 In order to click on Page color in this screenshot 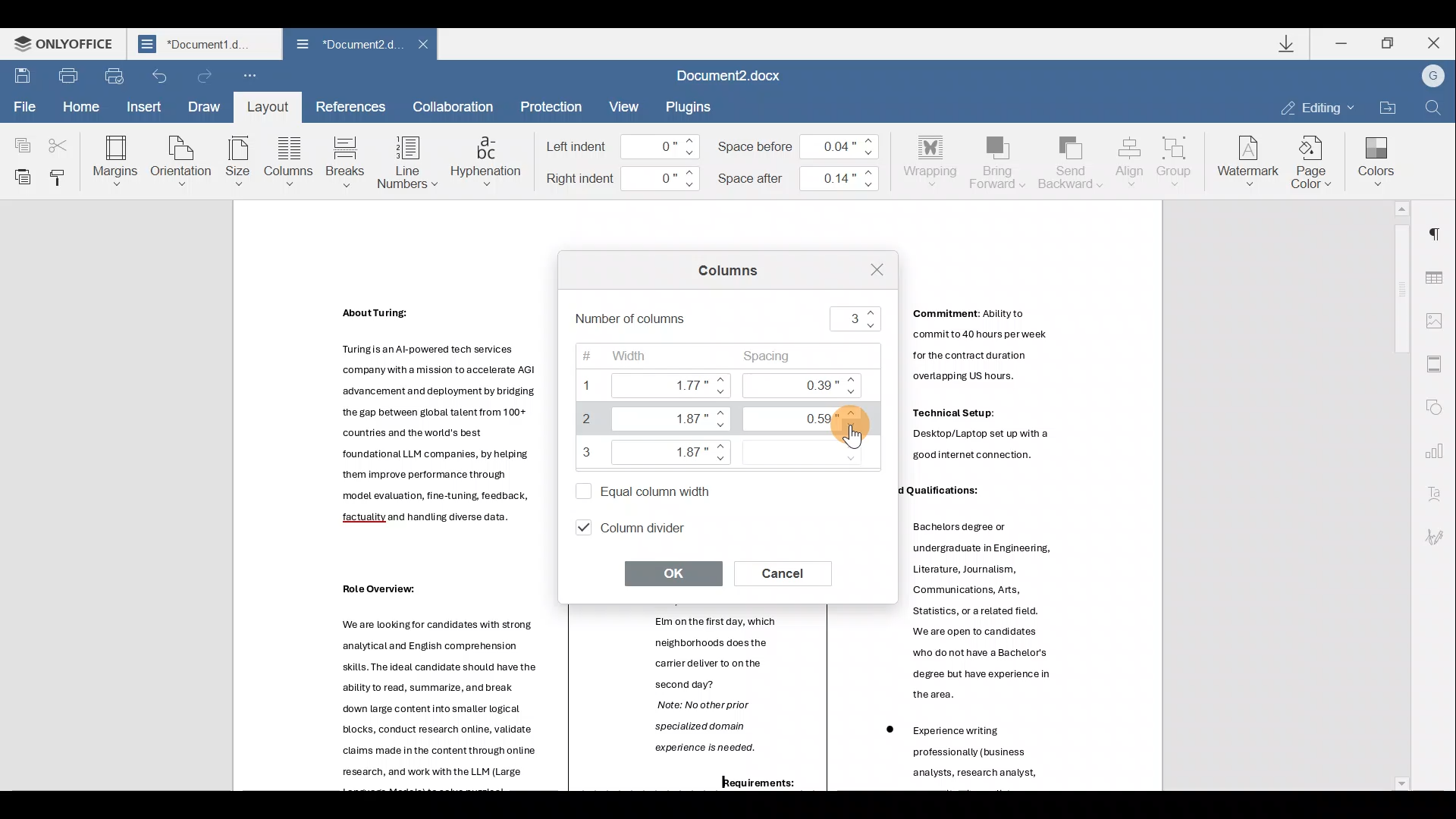, I will do `click(1315, 159)`.